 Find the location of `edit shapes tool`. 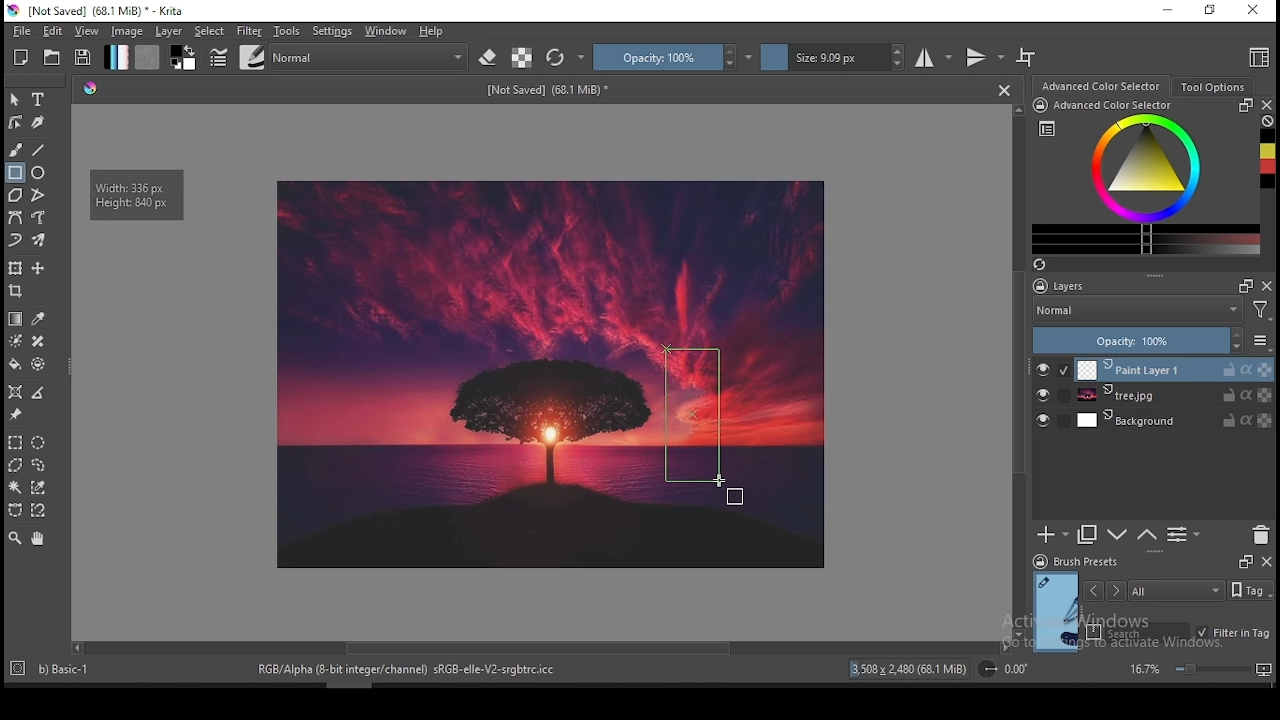

edit shapes tool is located at coordinates (16, 121).